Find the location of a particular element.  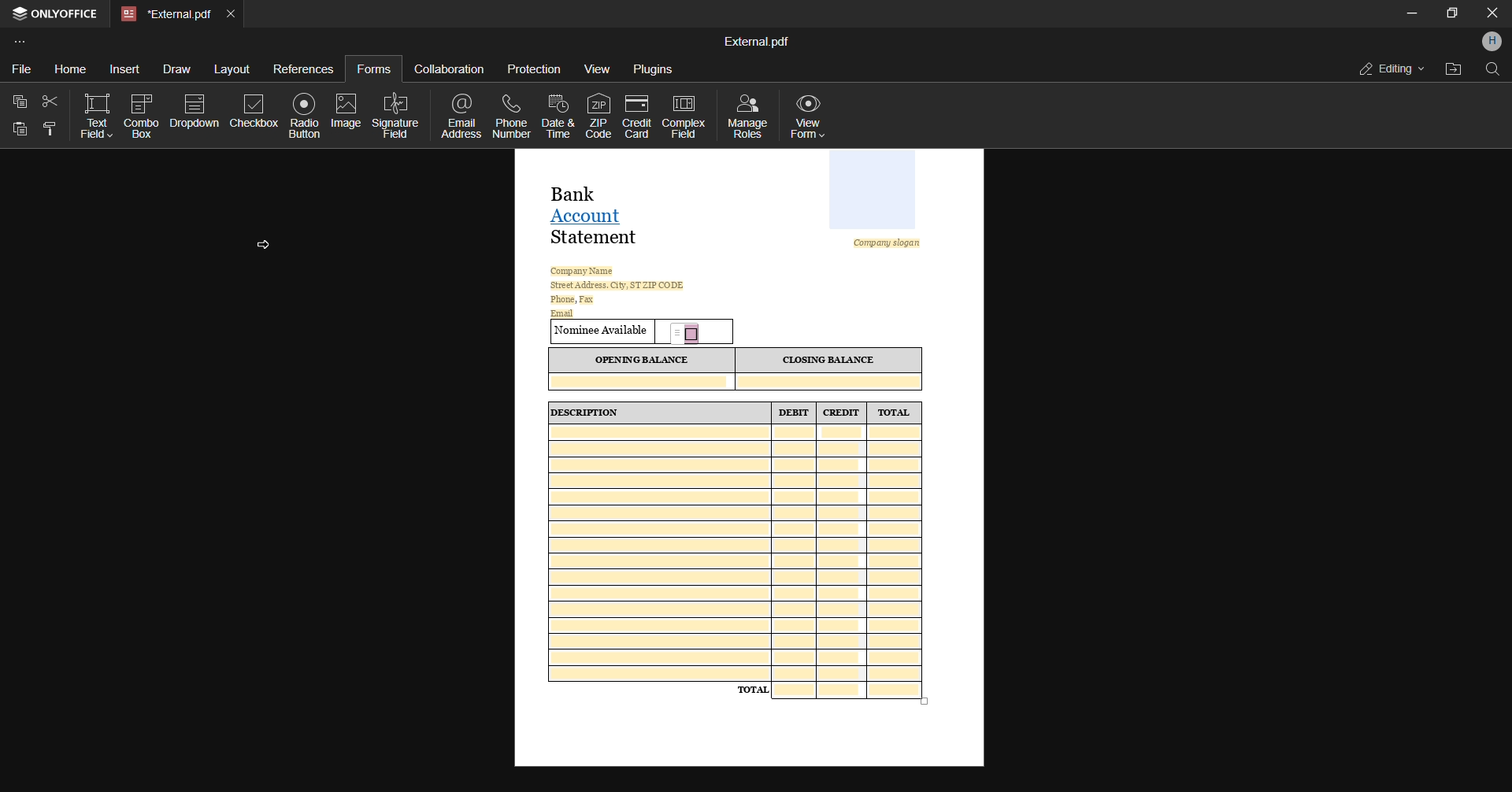

plugins is located at coordinates (653, 70).